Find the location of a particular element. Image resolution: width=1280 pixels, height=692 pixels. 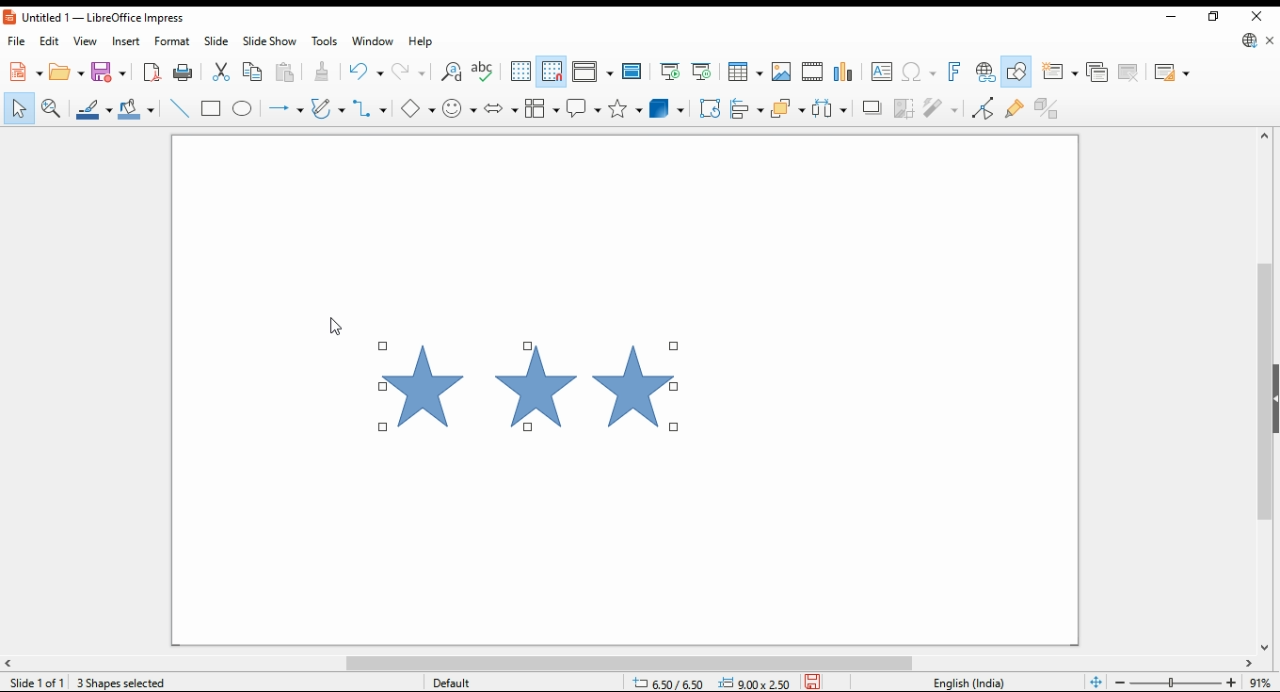

select at least three objects to distribute is located at coordinates (831, 107).